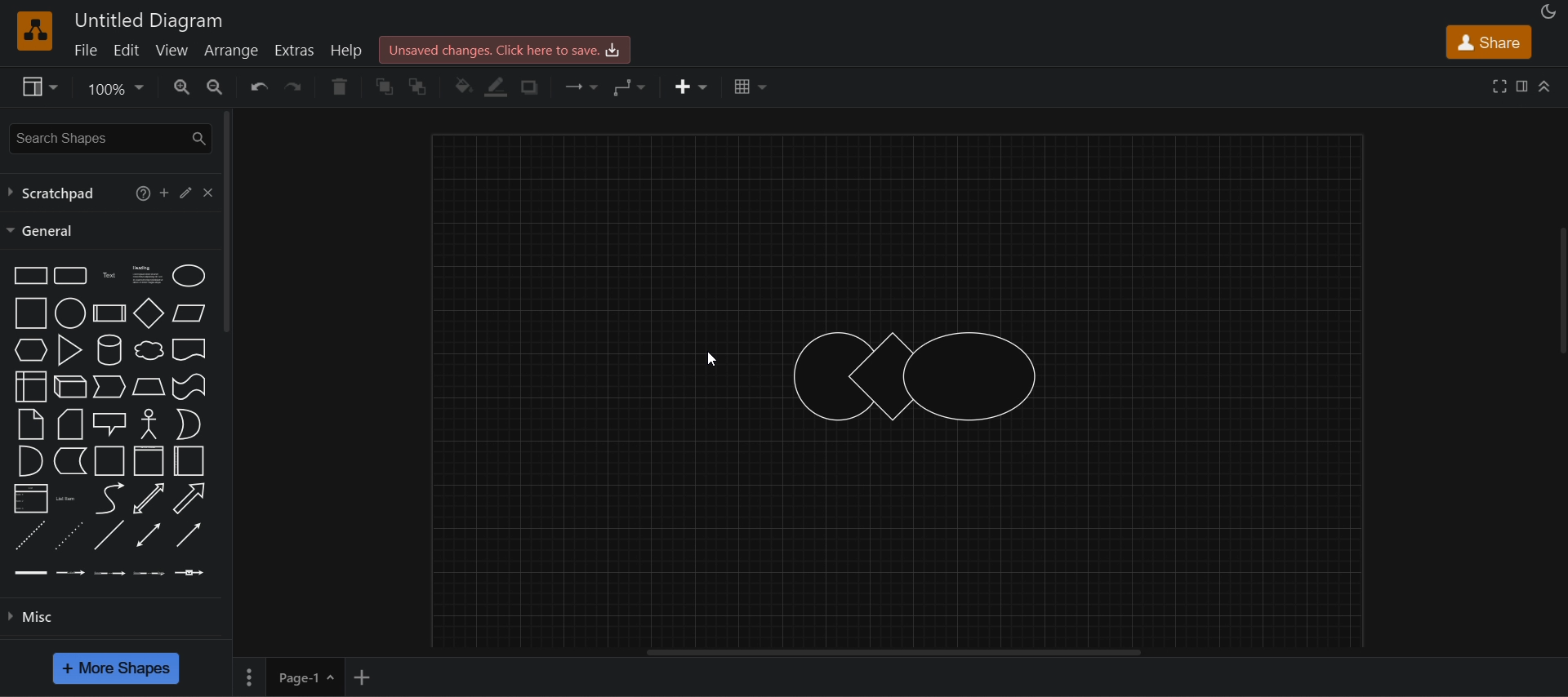 The width and height of the screenshot is (1568, 697). What do you see at coordinates (68, 535) in the screenshot?
I see `dotted line` at bounding box center [68, 535].